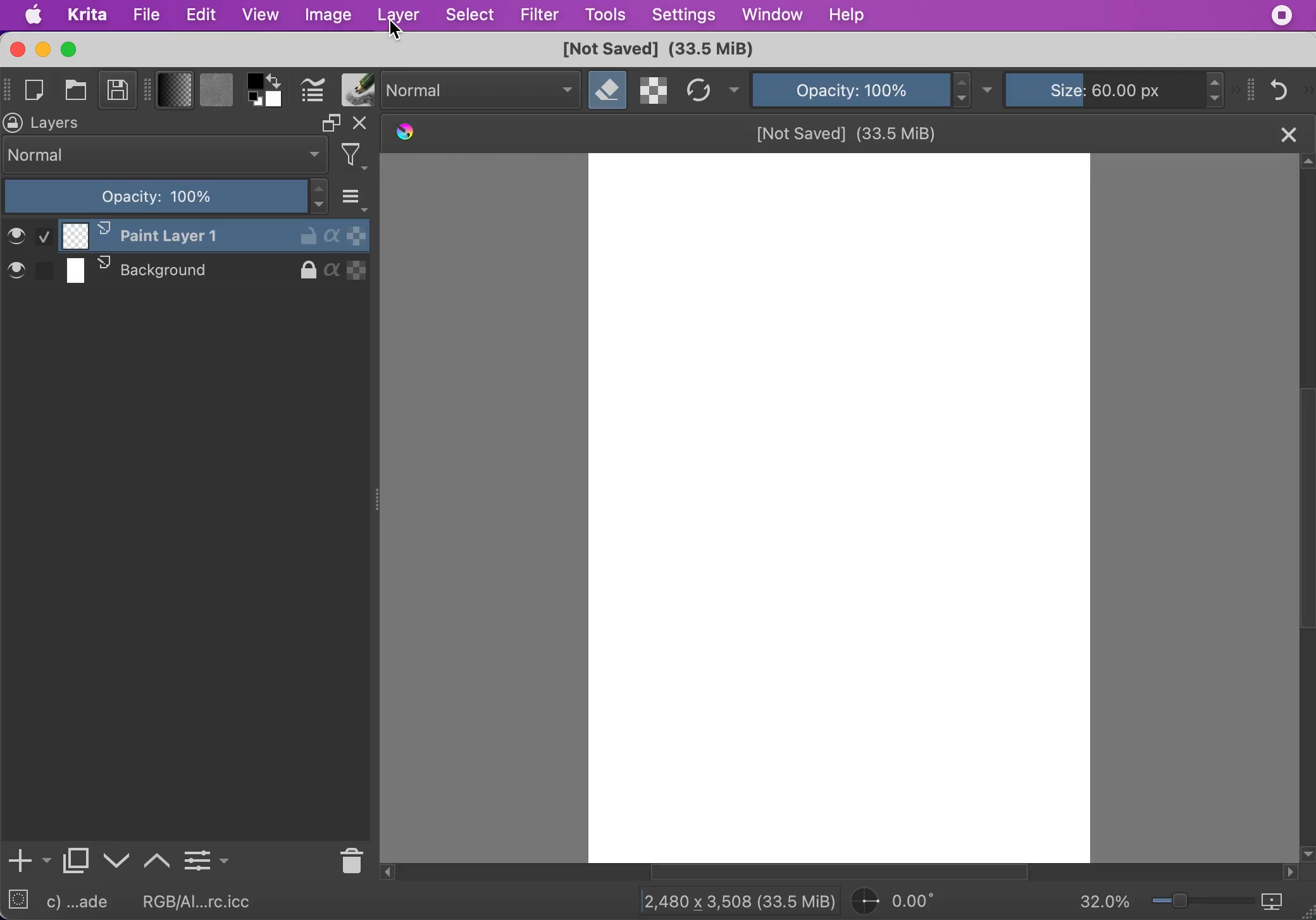 The height and width of the screenshot is (920, 1316). Describe the element at coordinates (189, 235) in the screenshot. I see `paint layer 1` at that location.